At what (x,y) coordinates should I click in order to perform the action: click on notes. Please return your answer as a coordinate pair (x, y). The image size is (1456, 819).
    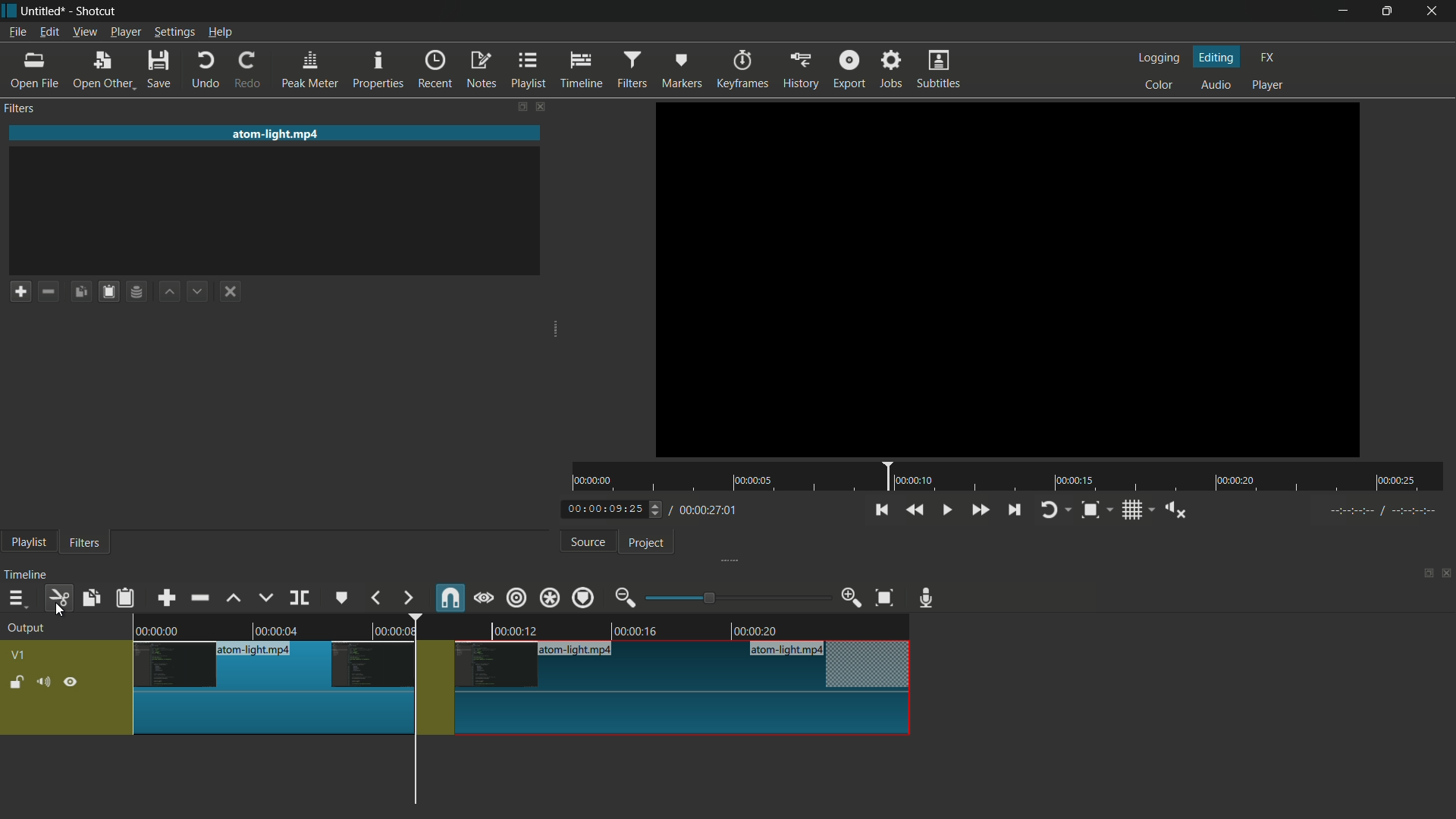
    Looking at the image, I should click on (481, 71).